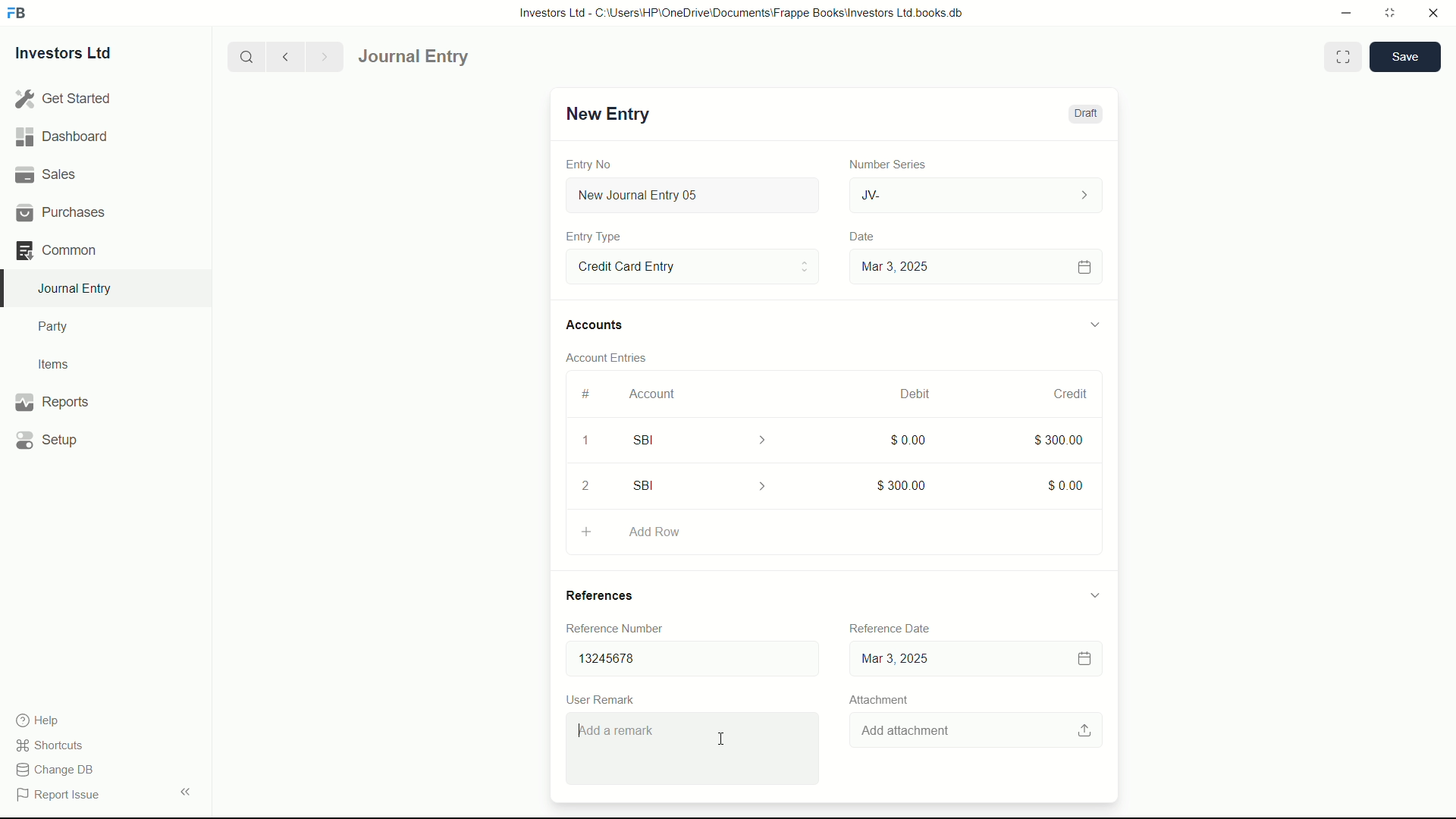  What do you see at coordinates (720, 740) in the screenshot?
I see `cursor` at bounding box center [720, 740].